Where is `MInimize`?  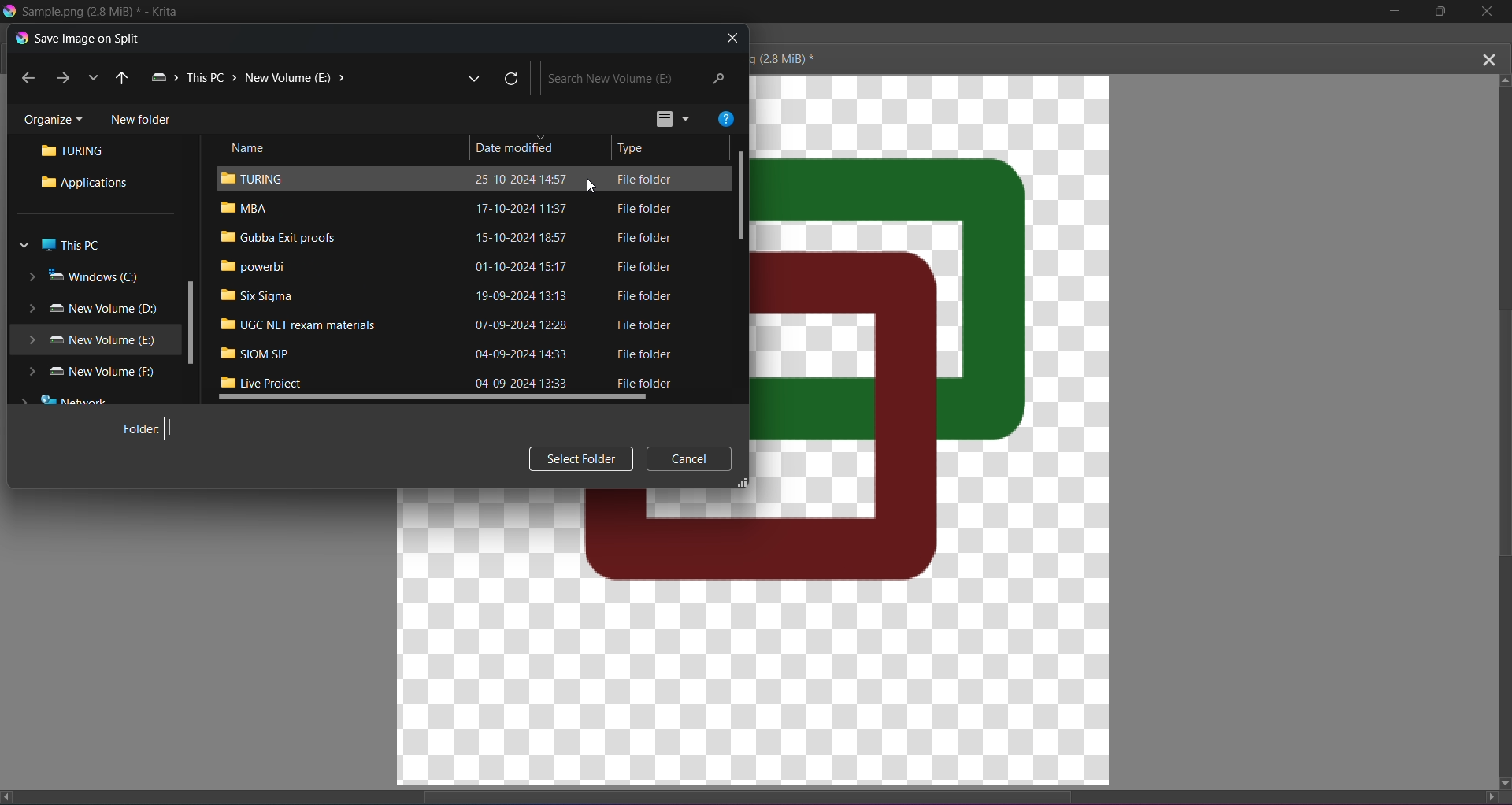 MInimize is located at coordinates (1392, 12).